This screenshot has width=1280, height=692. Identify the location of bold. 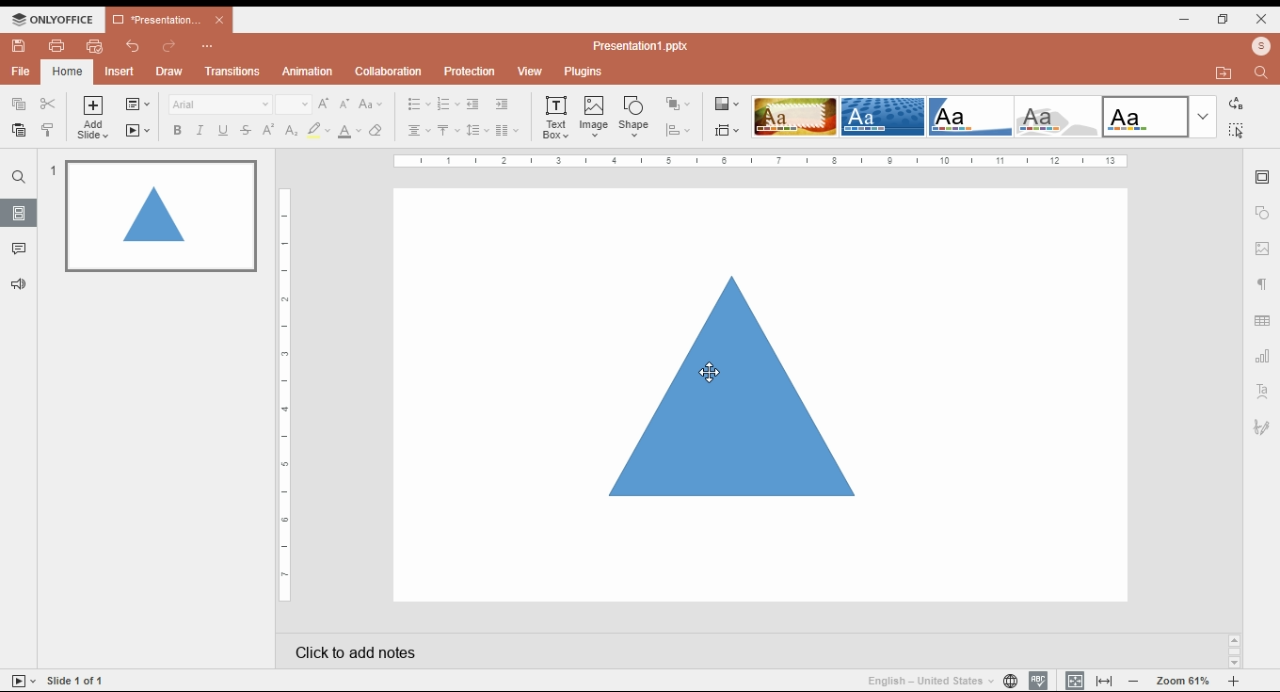
(178, 130).